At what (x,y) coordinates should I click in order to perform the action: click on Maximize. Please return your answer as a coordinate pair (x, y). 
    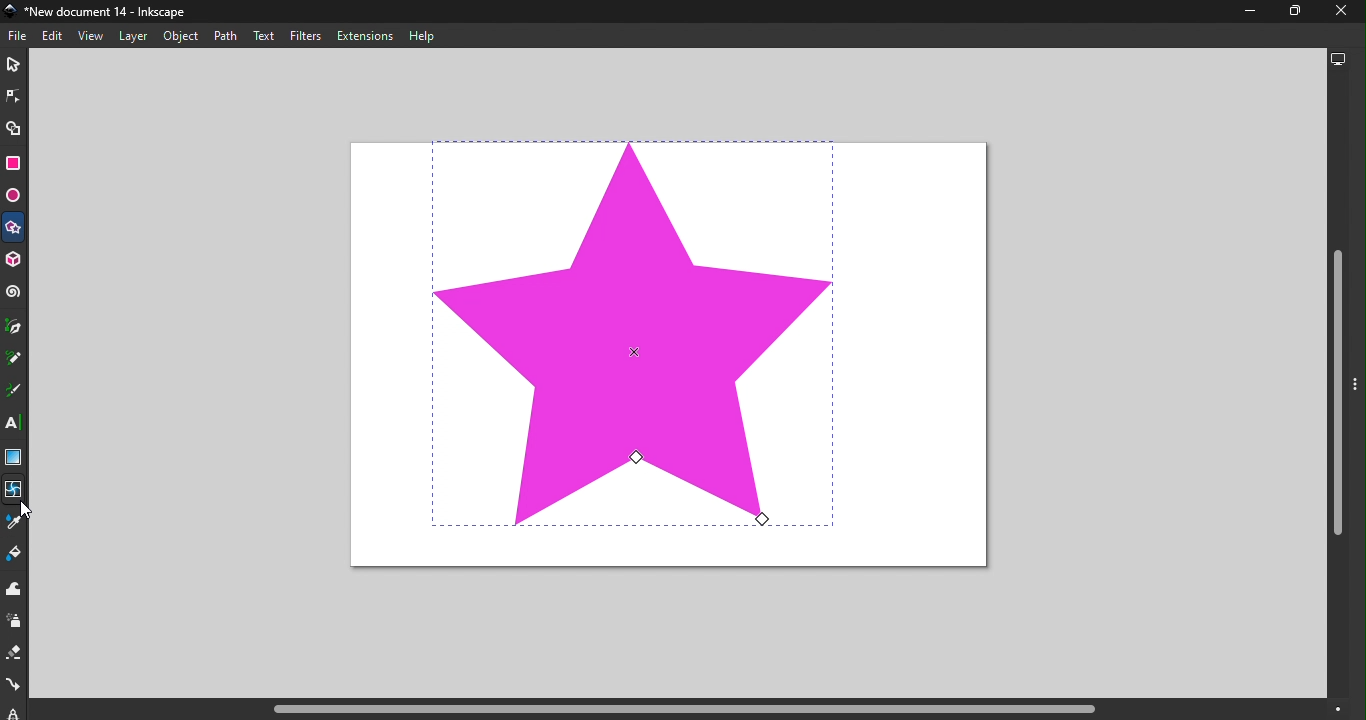
    Looking at the image, I should click on (1289, 12).